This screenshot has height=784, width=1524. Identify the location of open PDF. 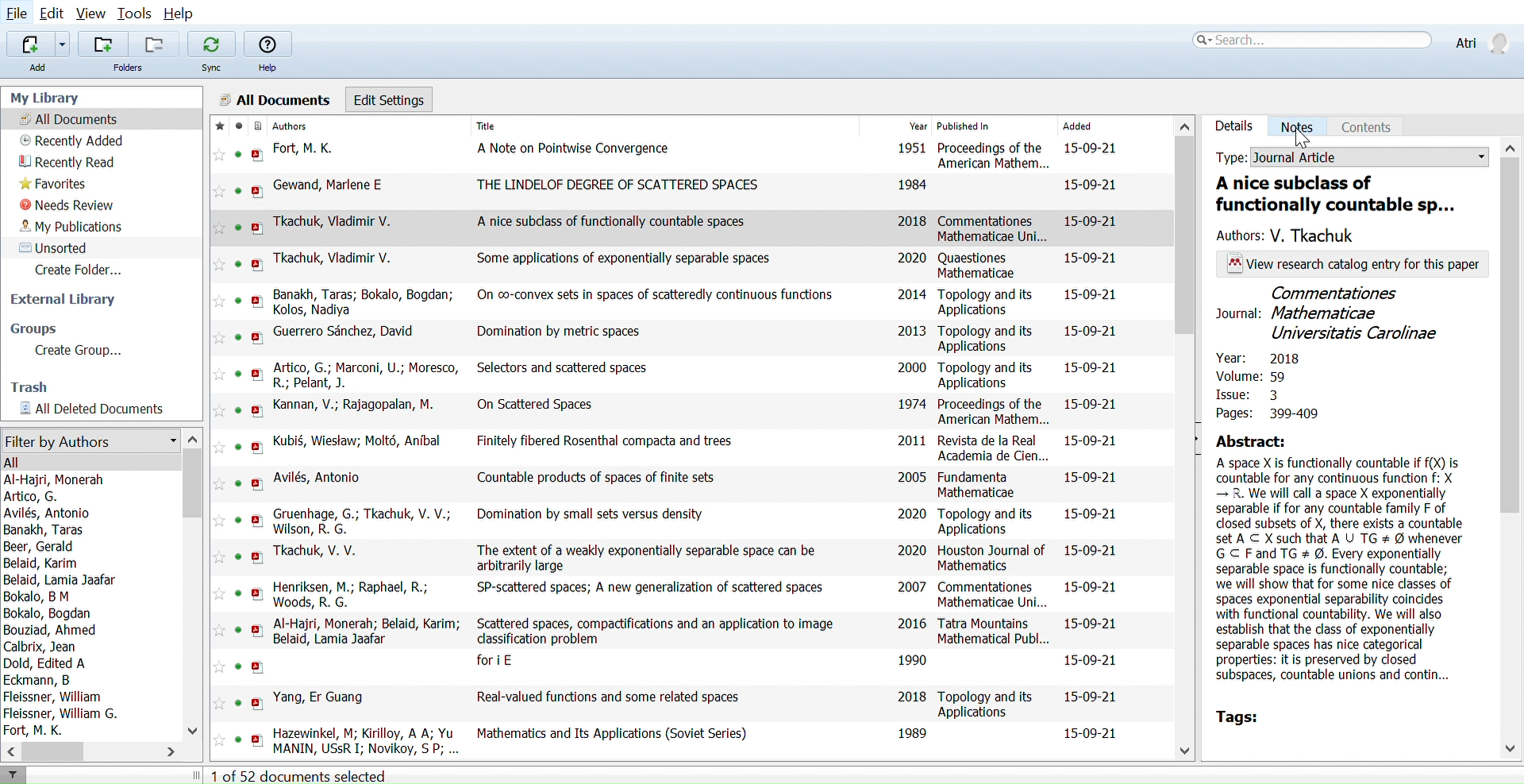
(258, 704).